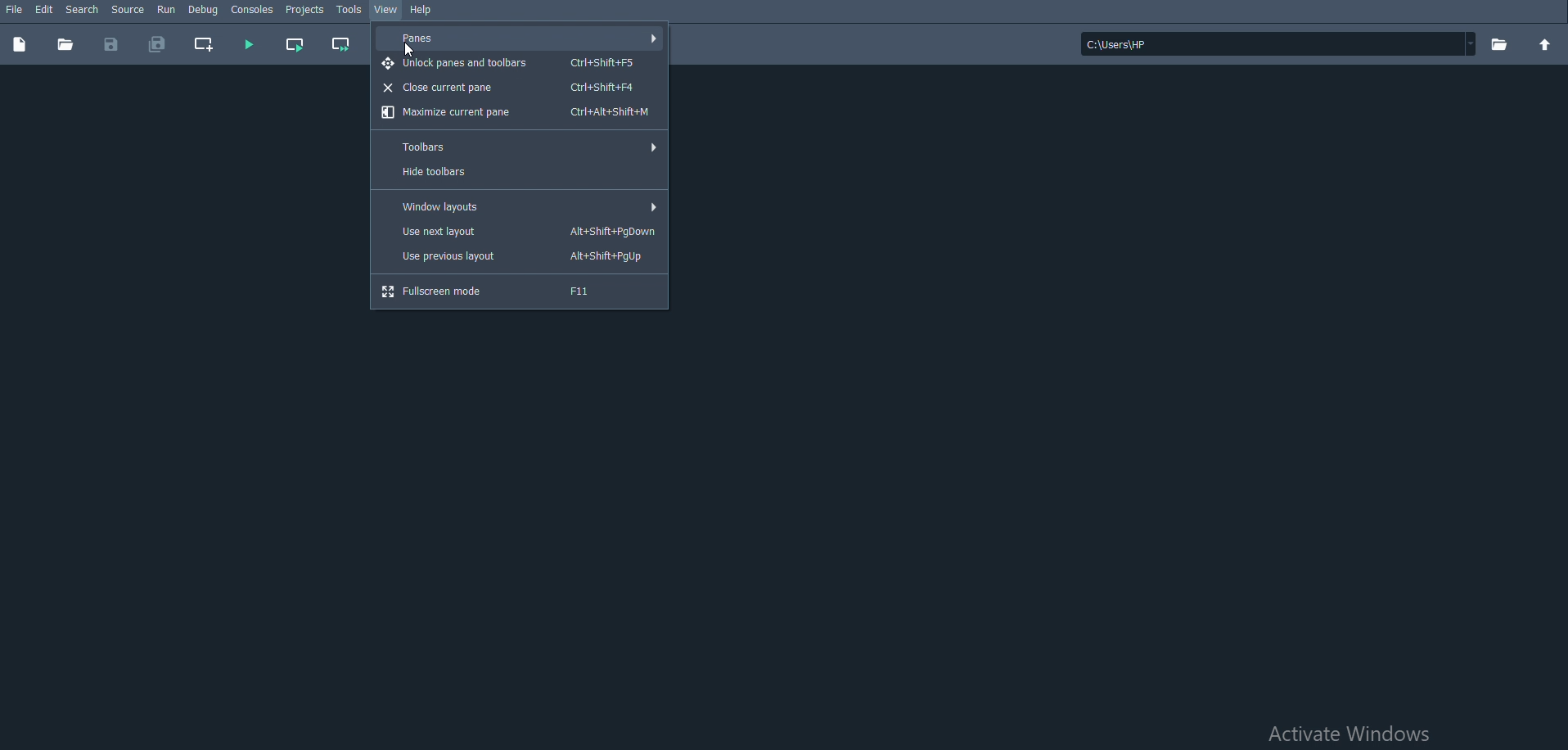 The image size is (1568, 750). What do you see at coordinates (516, 63) in the screenshot?
I see `Unlock panes and toolbars` at bounding box center [516, 63].